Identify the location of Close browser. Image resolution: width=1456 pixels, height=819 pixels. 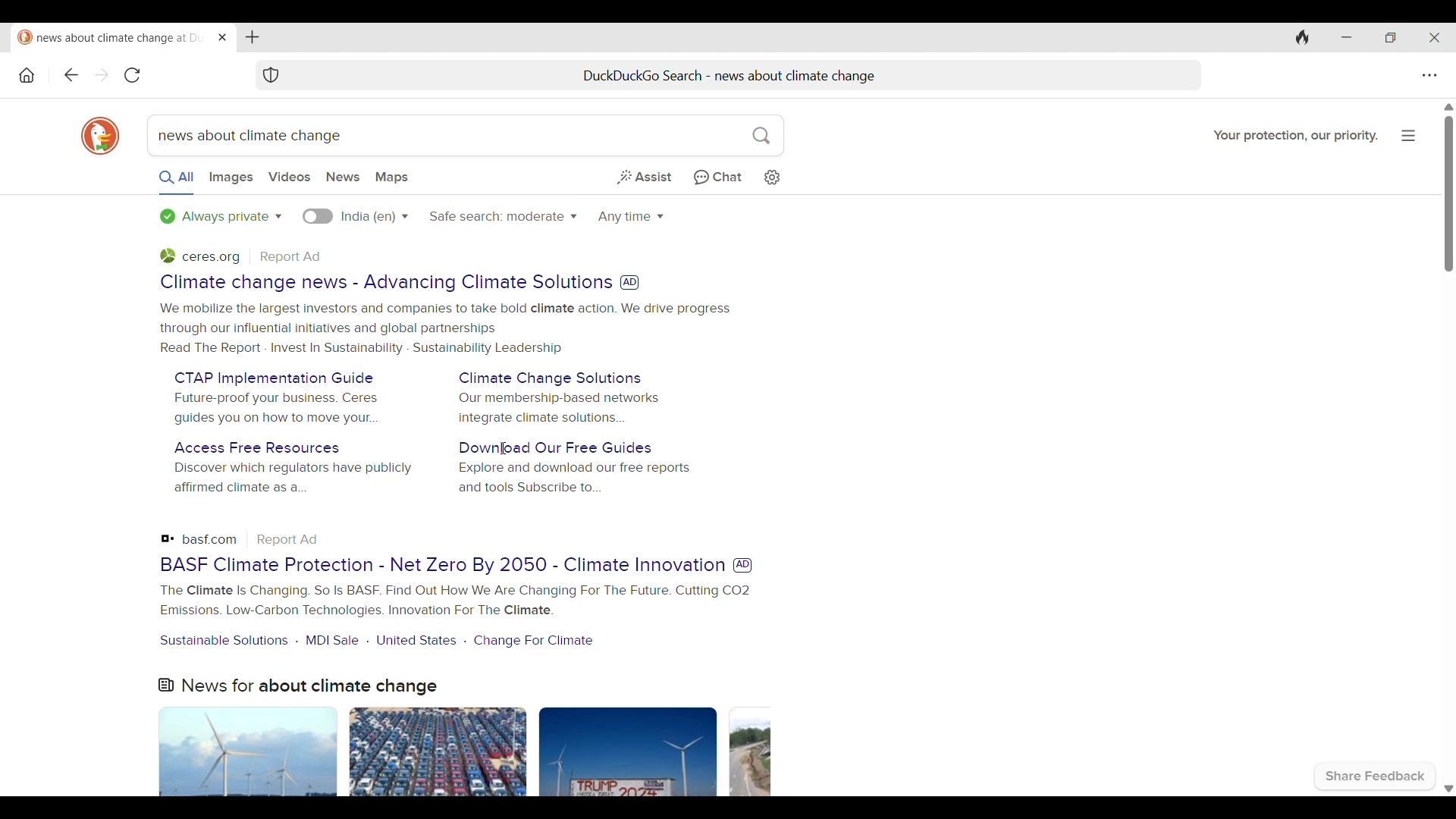
(1435, 37).